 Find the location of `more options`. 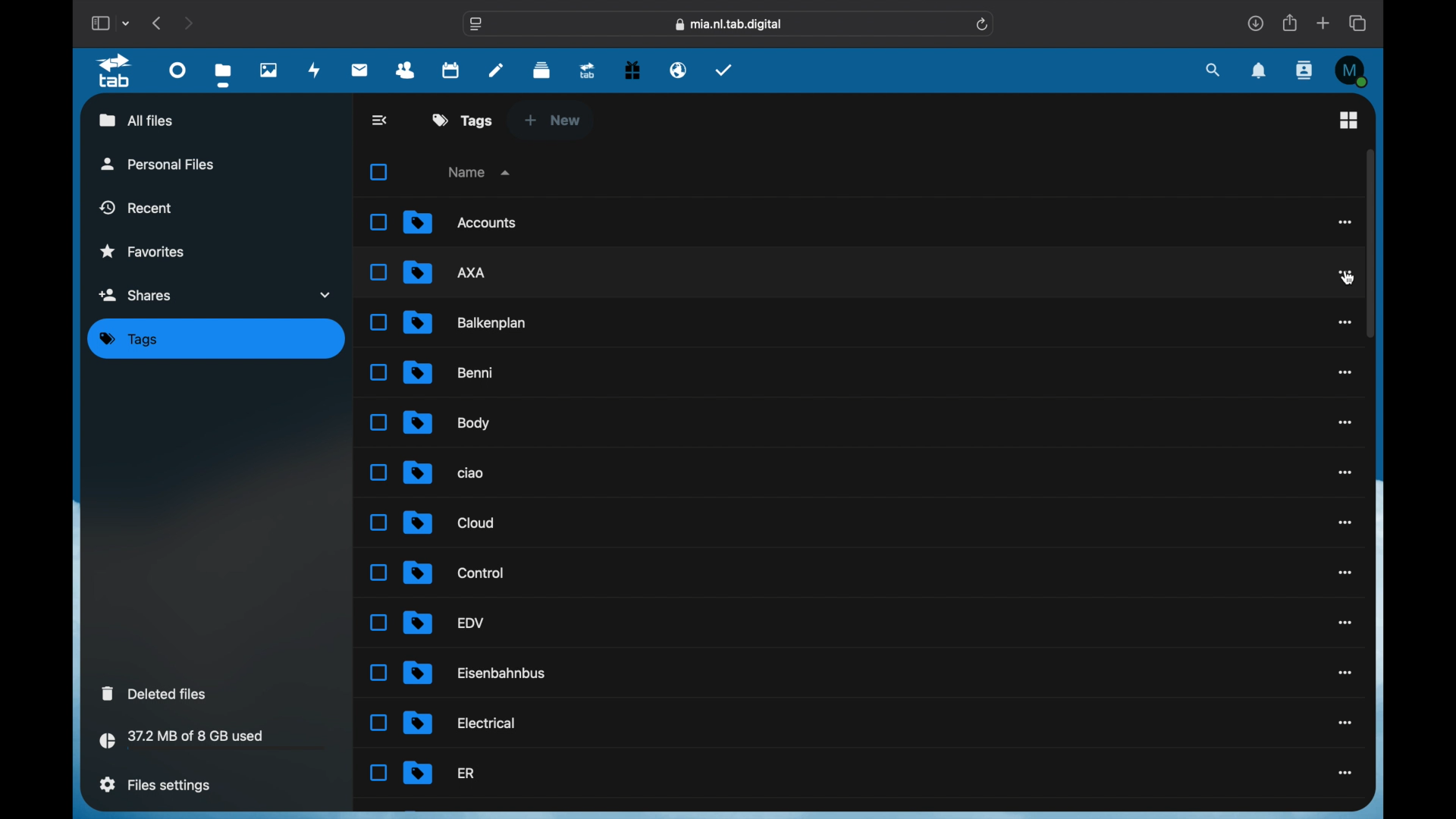

more options is located at coordinates (1346, 422).